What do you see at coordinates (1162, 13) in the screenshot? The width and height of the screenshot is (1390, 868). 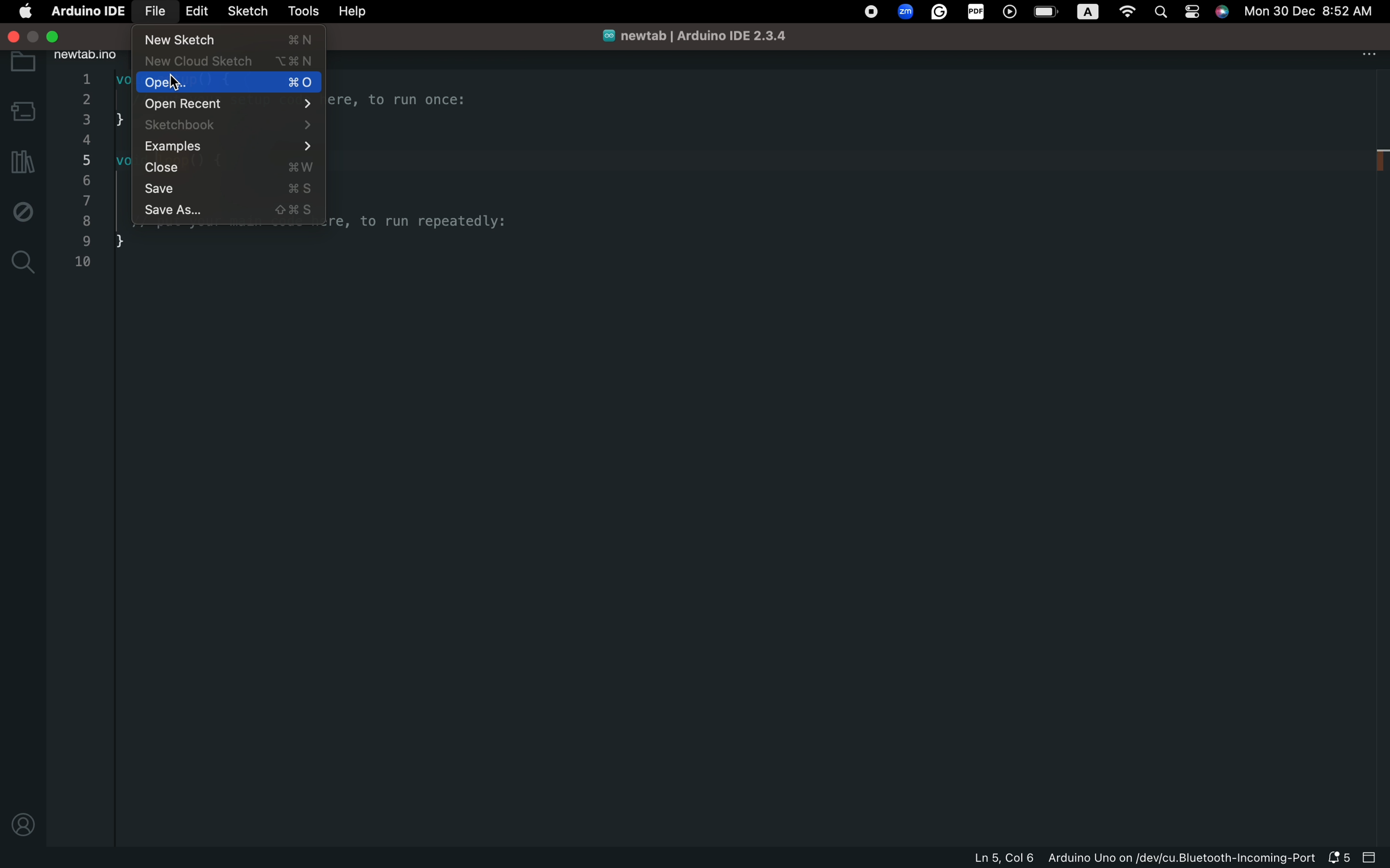 I see `spotlight search` at bounding box center [1162, 13].